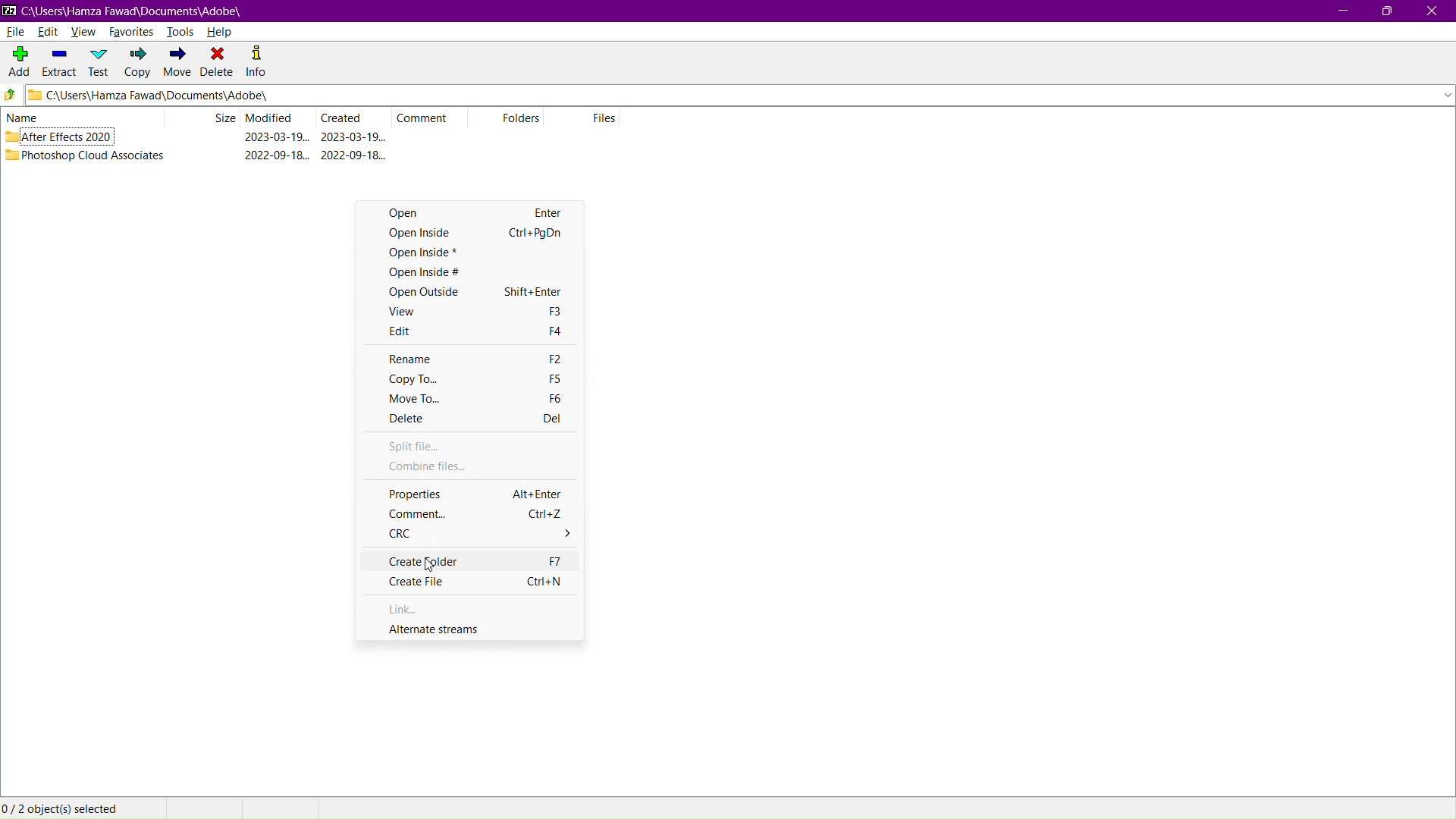  What do you see at coordinates (467, 293) in the screenshot?
I see `Open Outside ` at bounding box center [467, 293].